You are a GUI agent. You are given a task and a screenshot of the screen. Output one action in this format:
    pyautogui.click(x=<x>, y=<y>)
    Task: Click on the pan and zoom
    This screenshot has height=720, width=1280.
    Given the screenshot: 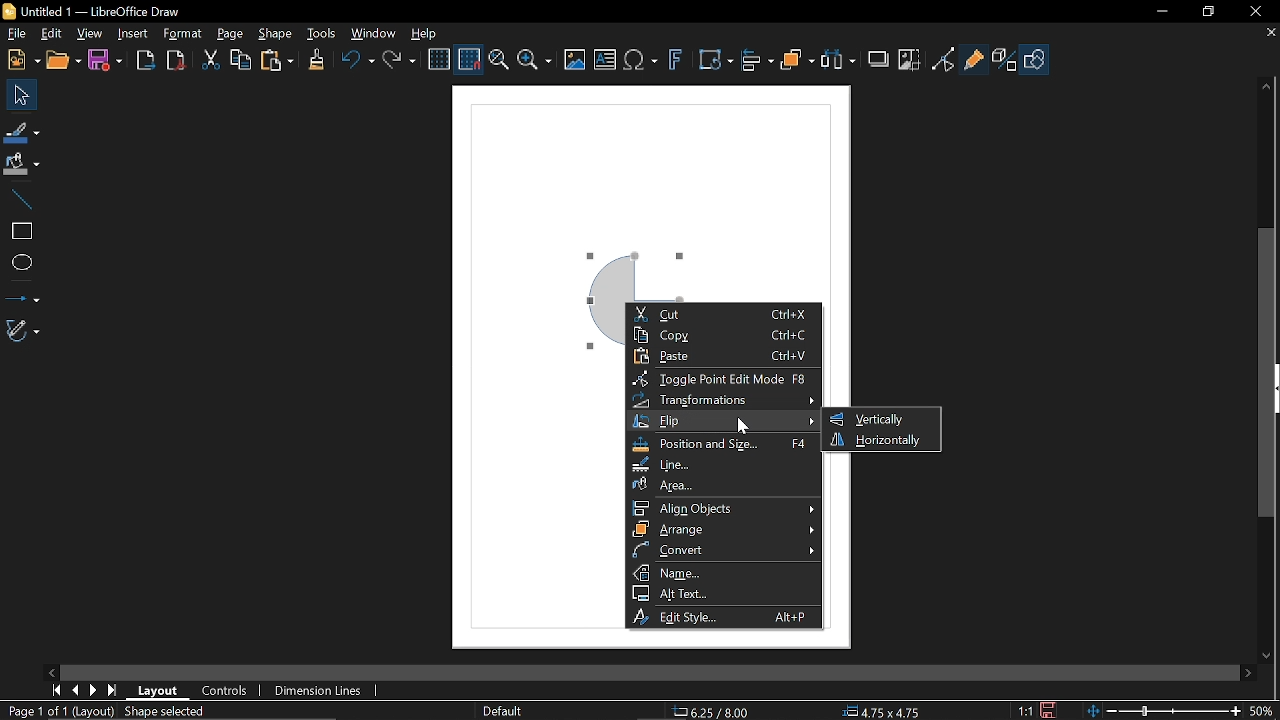 What is the action you would take?
    pyautogui.click(x=498, y=61)
    